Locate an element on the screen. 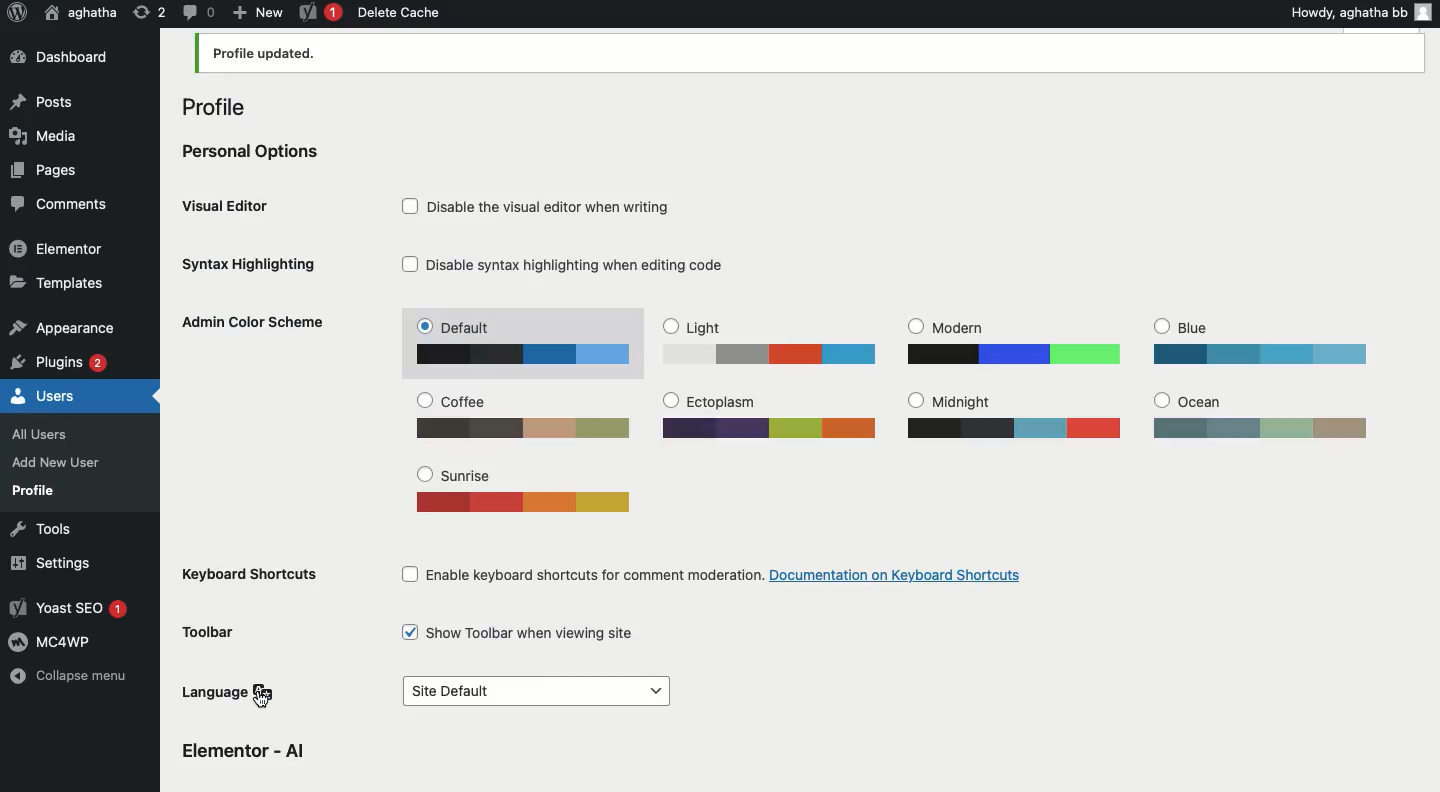  Howdy, aghatha is located at coordinates (1358, 12).